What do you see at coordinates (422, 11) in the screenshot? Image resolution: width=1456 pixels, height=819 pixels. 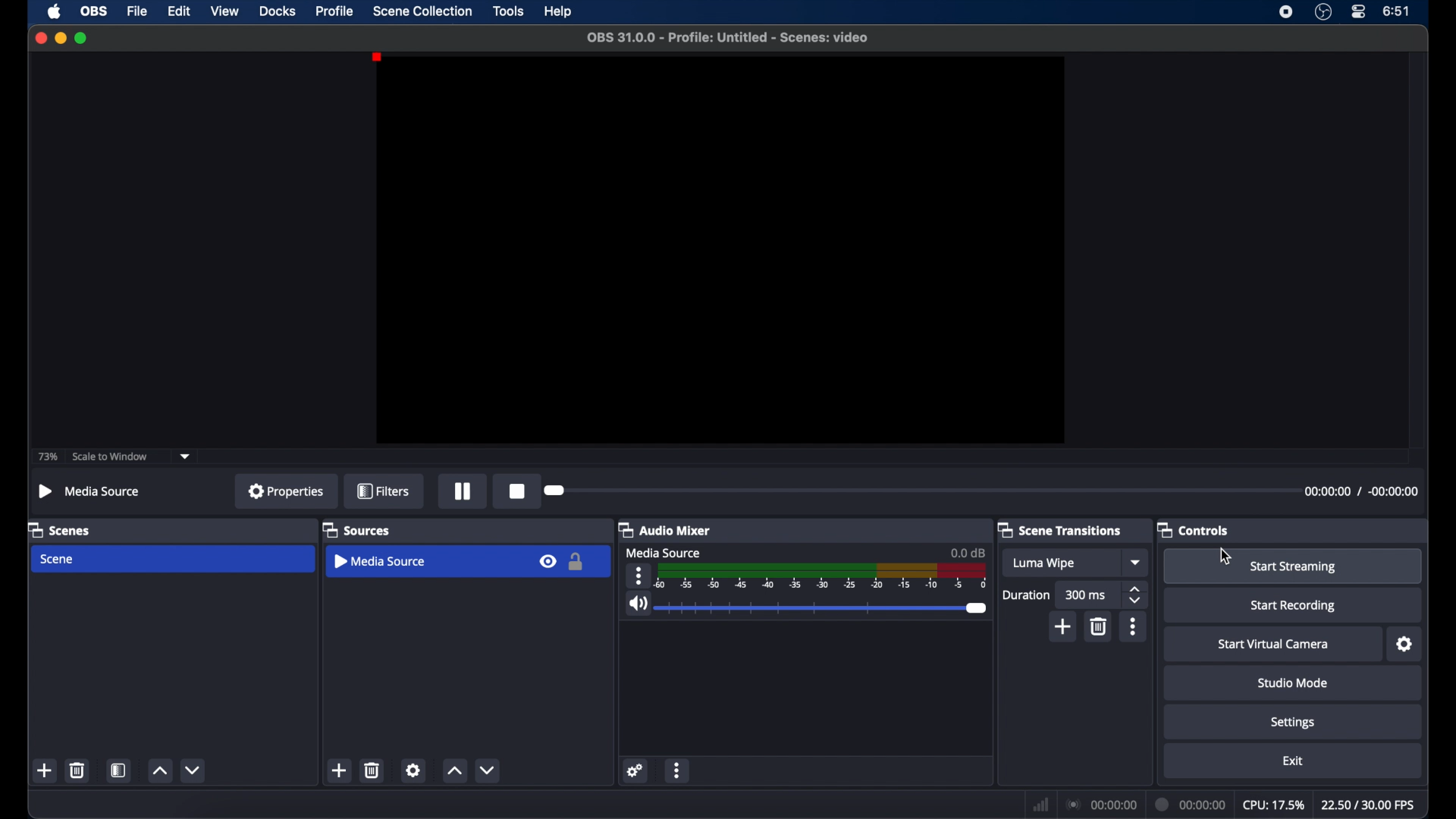 I see `scene collection` at bounding box center [422, 11].